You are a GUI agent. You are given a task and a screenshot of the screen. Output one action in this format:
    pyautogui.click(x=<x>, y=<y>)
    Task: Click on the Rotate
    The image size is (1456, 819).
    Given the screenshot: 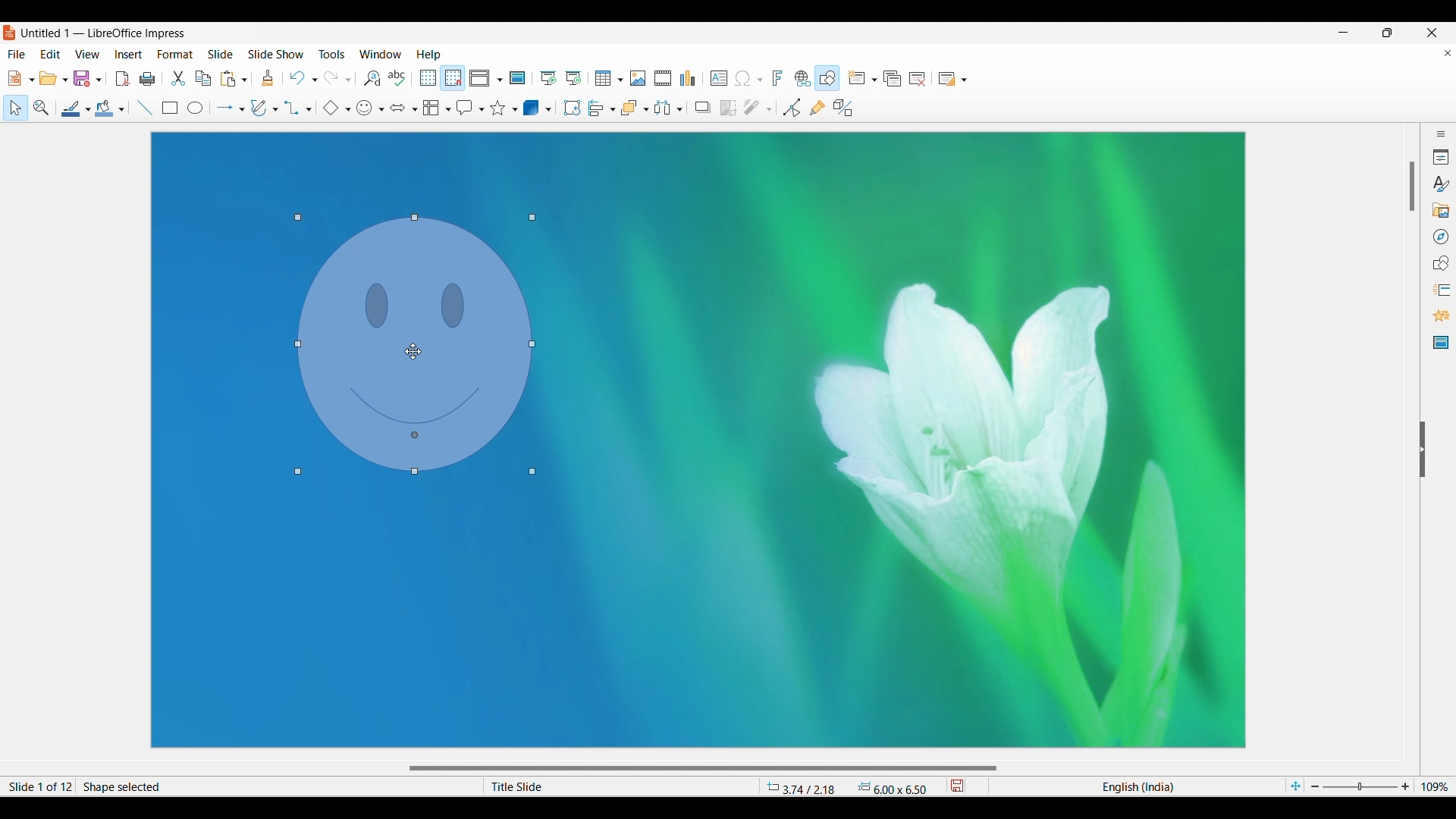 What is the action you would take?
    pyautogui.click(x=572, y=107)
    